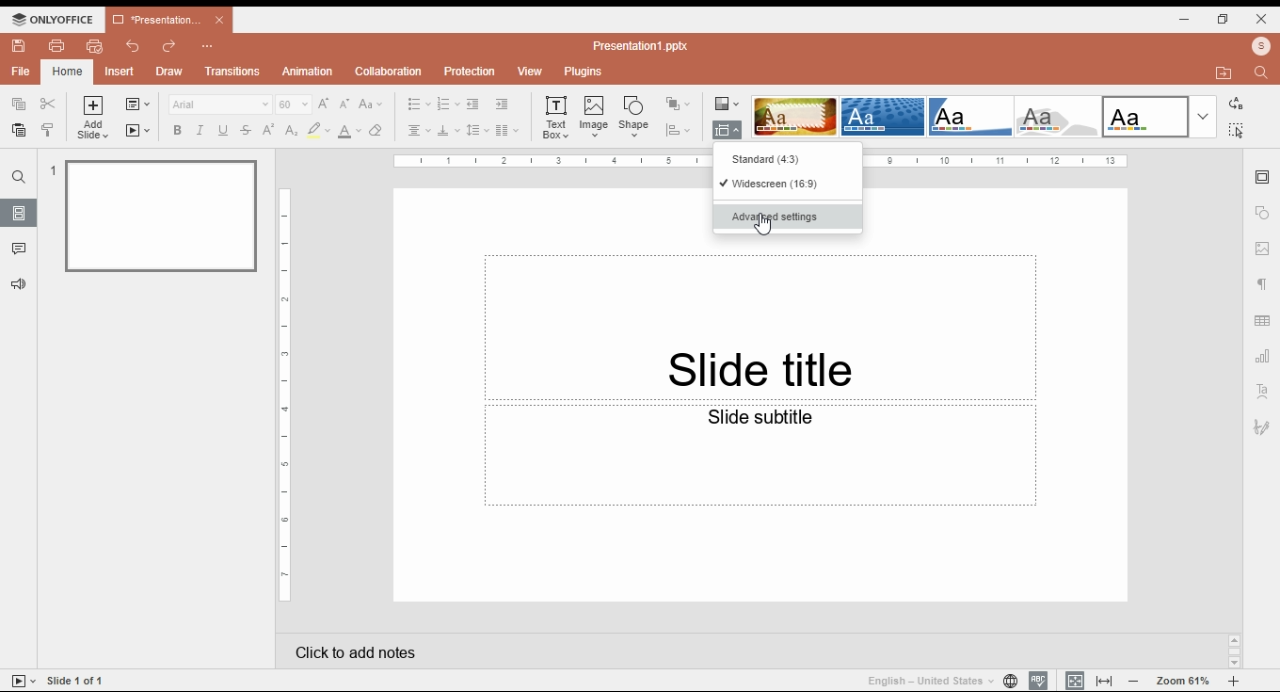 The width and height of the screenshot is (1280, 692). Describe the element at coordinates (790, 160) in the screenshot. I see `standard (4:3)` at that location.